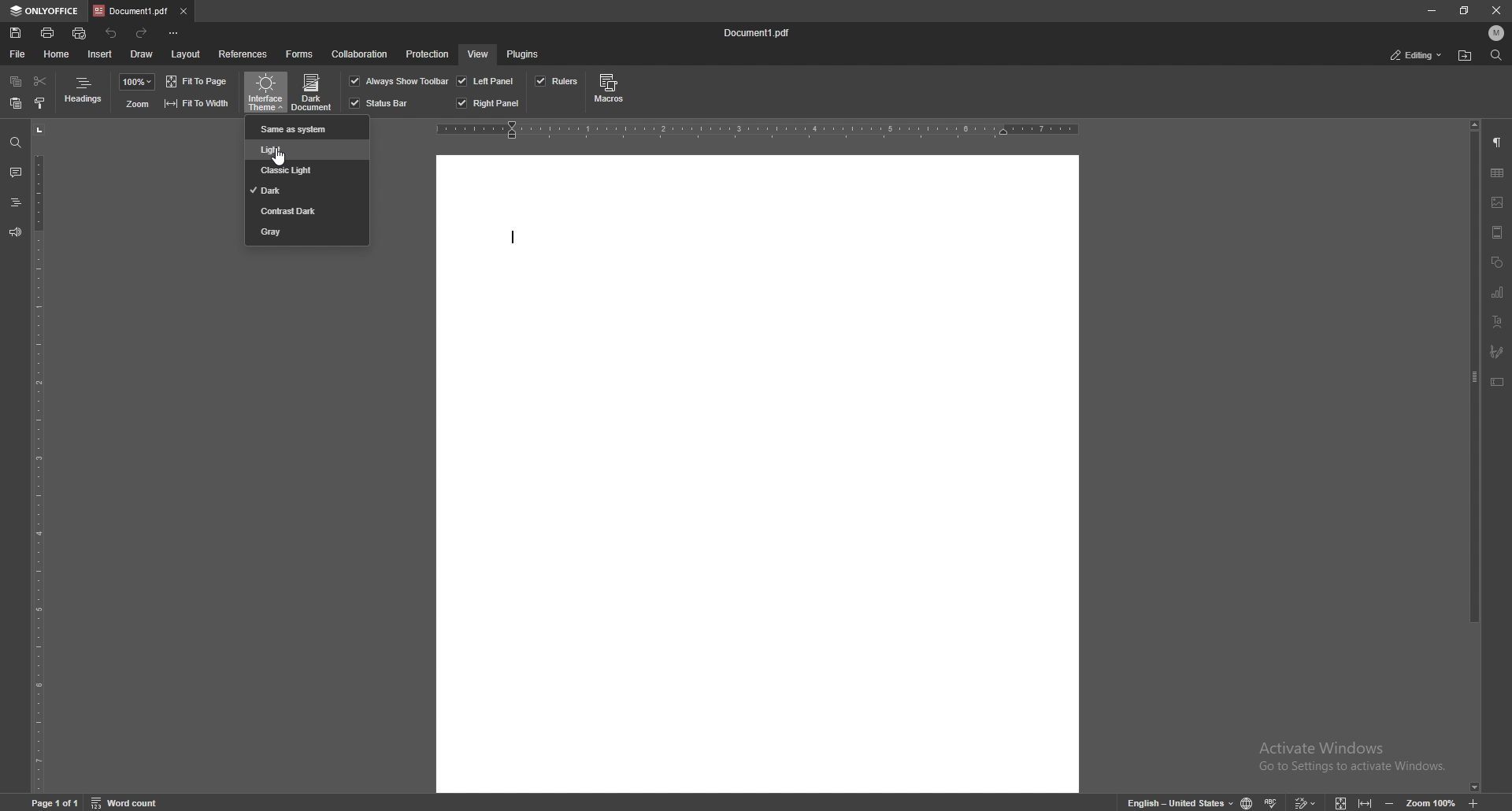 The height and width of the screenshot is (811, 1512). Describe the element at coordinates (308, 150) in the screenshot. I see `light` at that location.